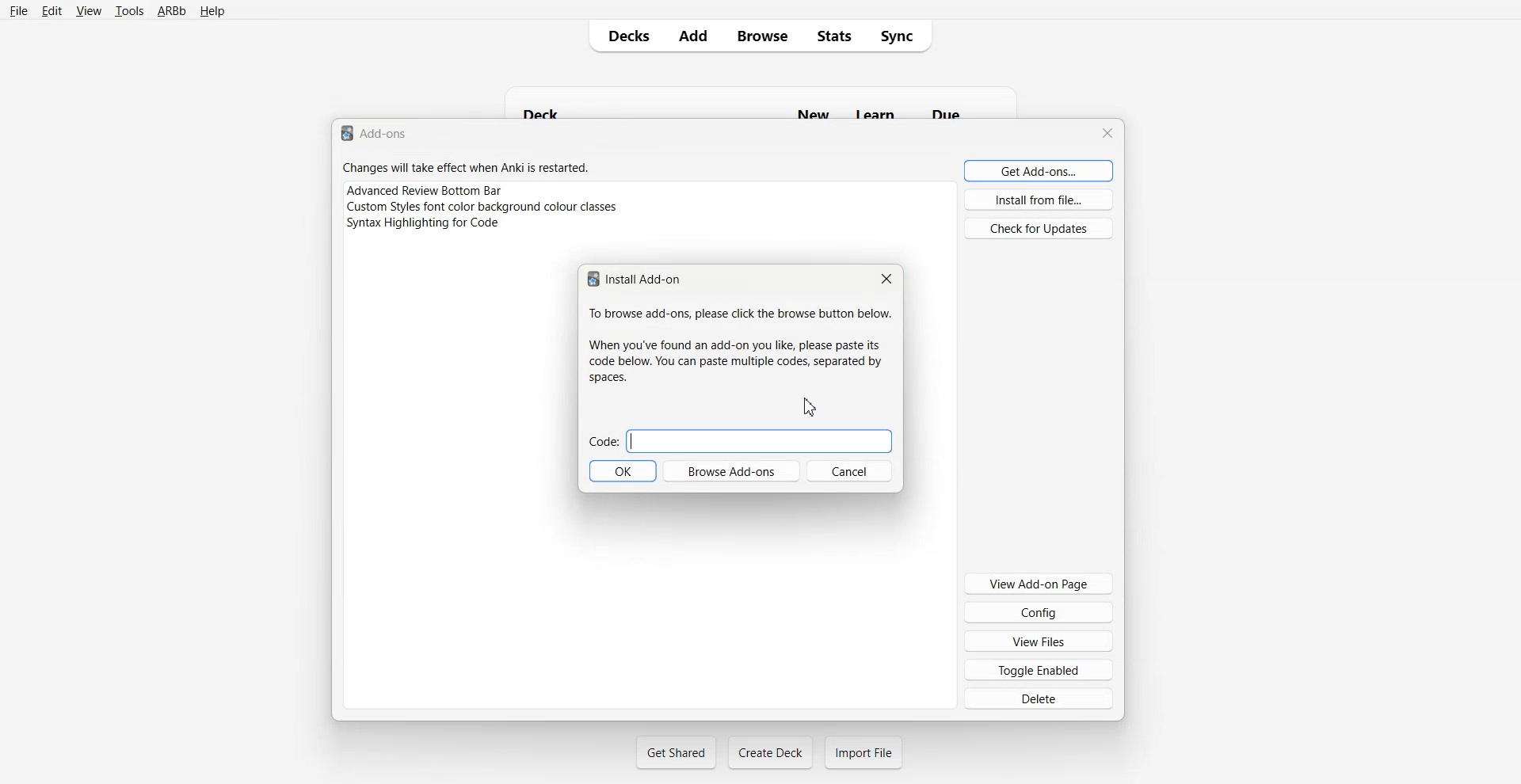  What do you see at coordinates (761, 36) in the screenshot?
I see `Browse` at bounding box center [761, 36].